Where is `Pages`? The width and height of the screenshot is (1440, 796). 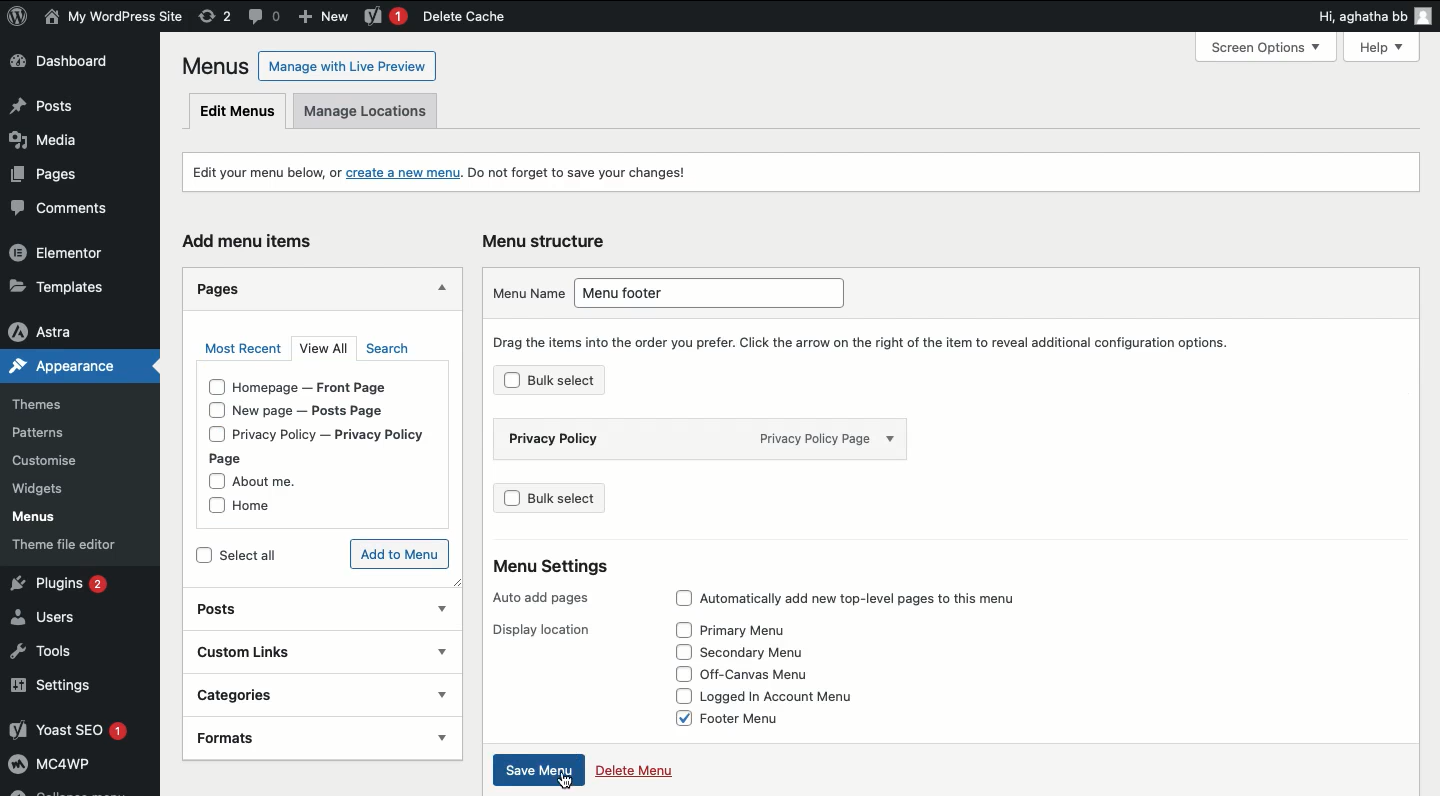
Pages is located at coordinates (43, 179).